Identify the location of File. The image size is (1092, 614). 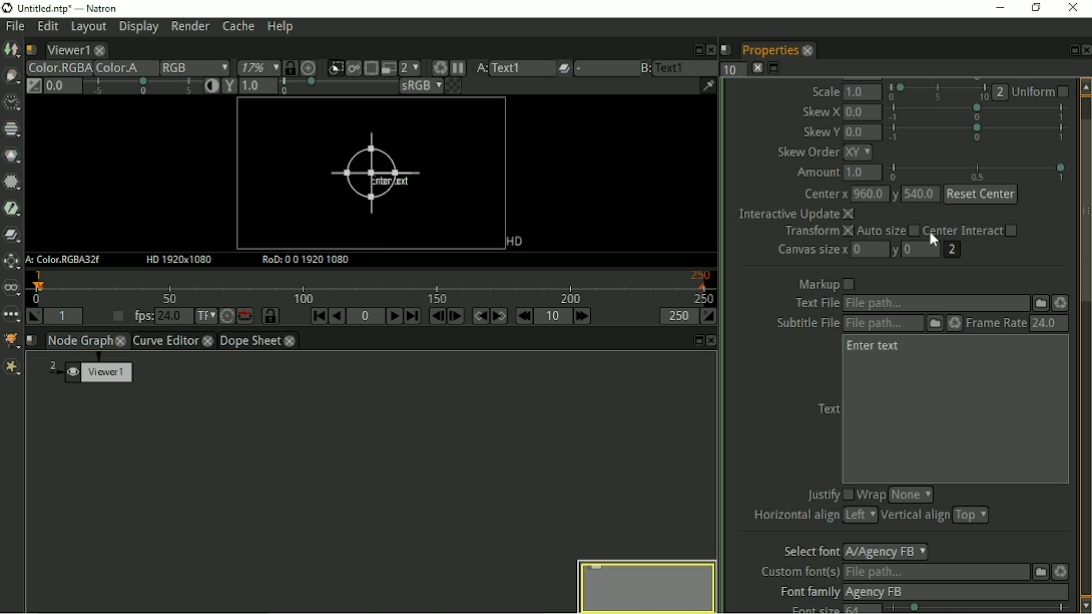
(1039, 303).